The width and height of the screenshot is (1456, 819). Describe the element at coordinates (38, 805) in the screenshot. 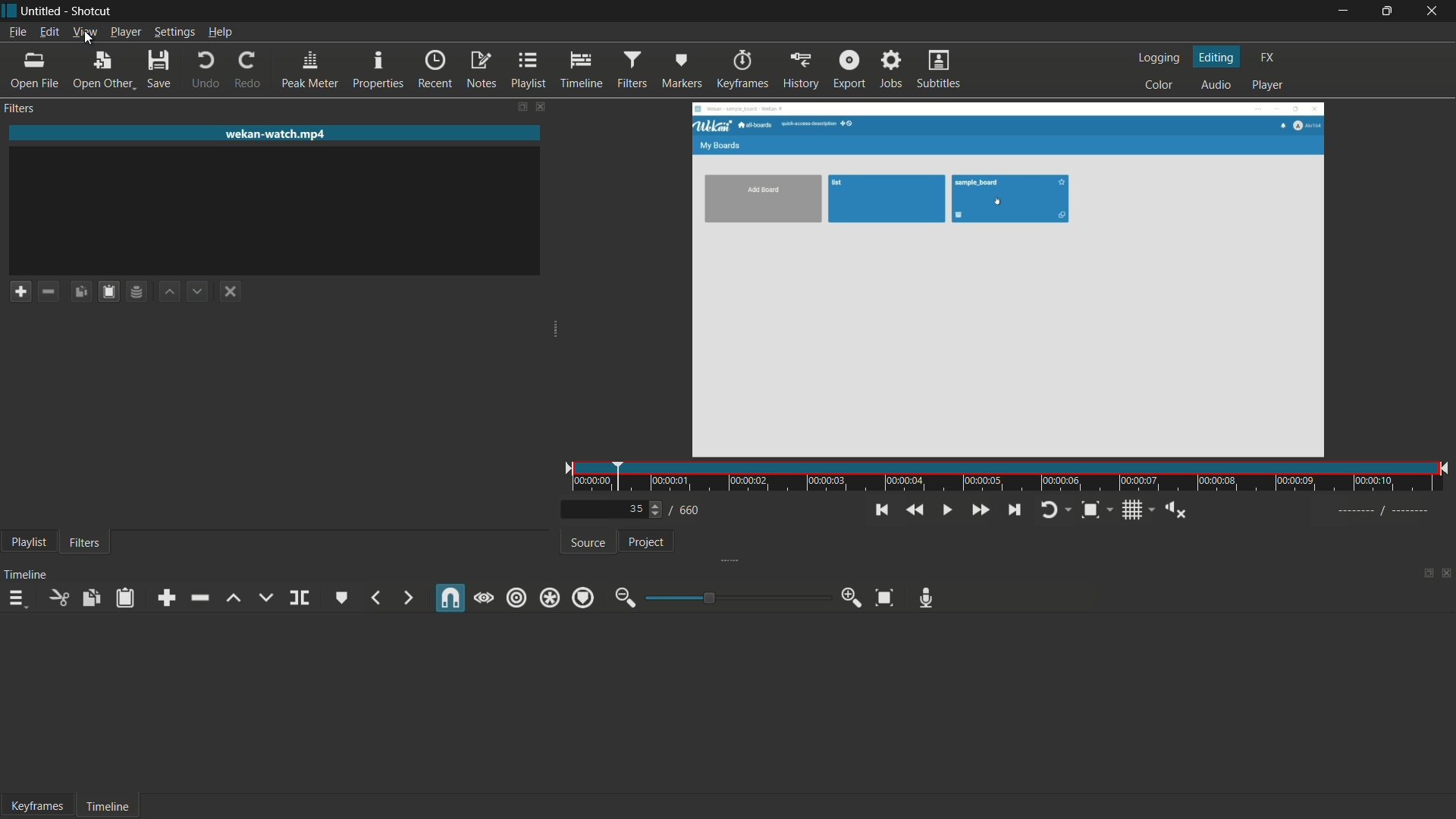

I see `keyframes` at that location.